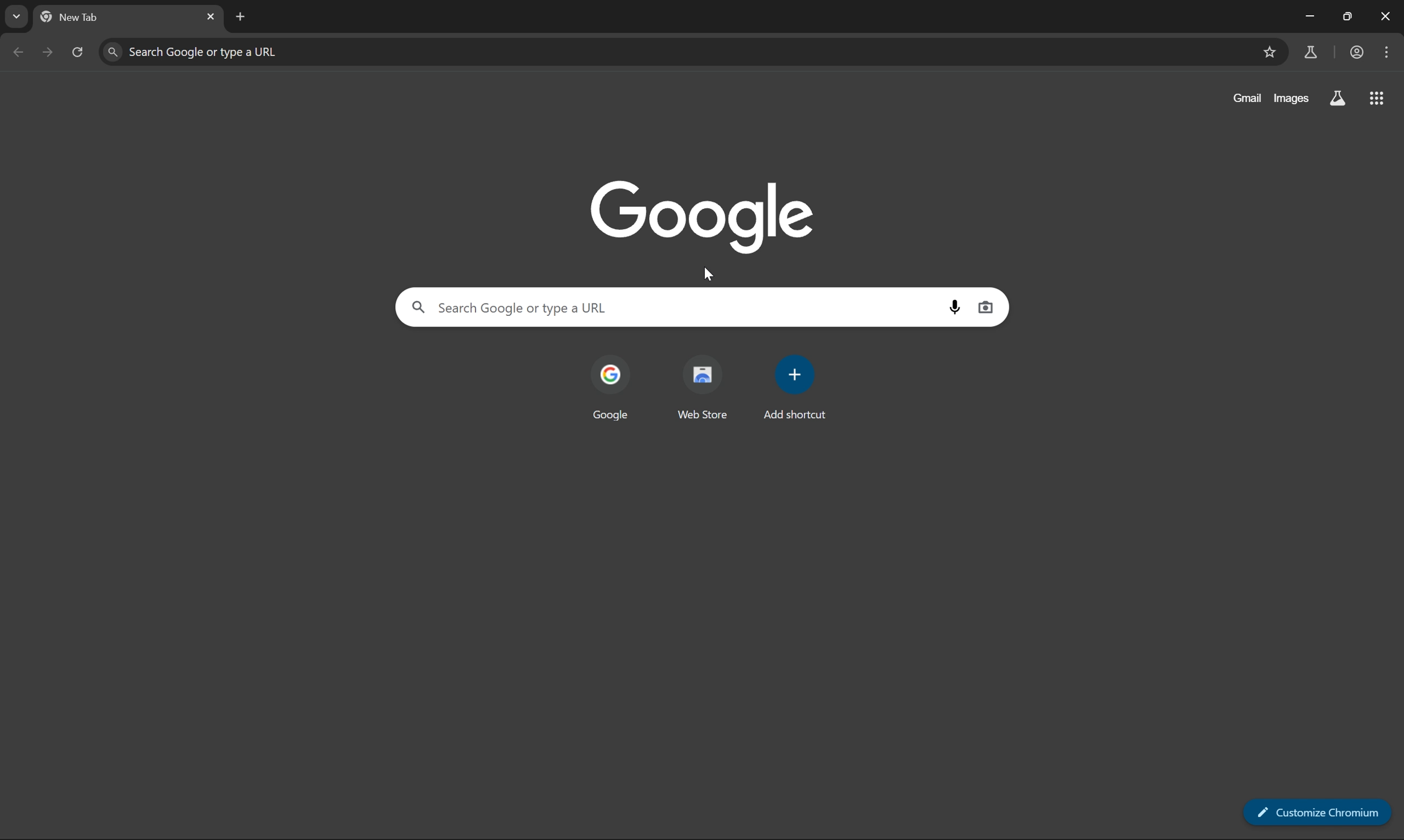 Image resolution: width=1404 pixels, height=840 pixels. Describe the element at coordinates (19, 53) in the screenshot. I see `previous` at that location.